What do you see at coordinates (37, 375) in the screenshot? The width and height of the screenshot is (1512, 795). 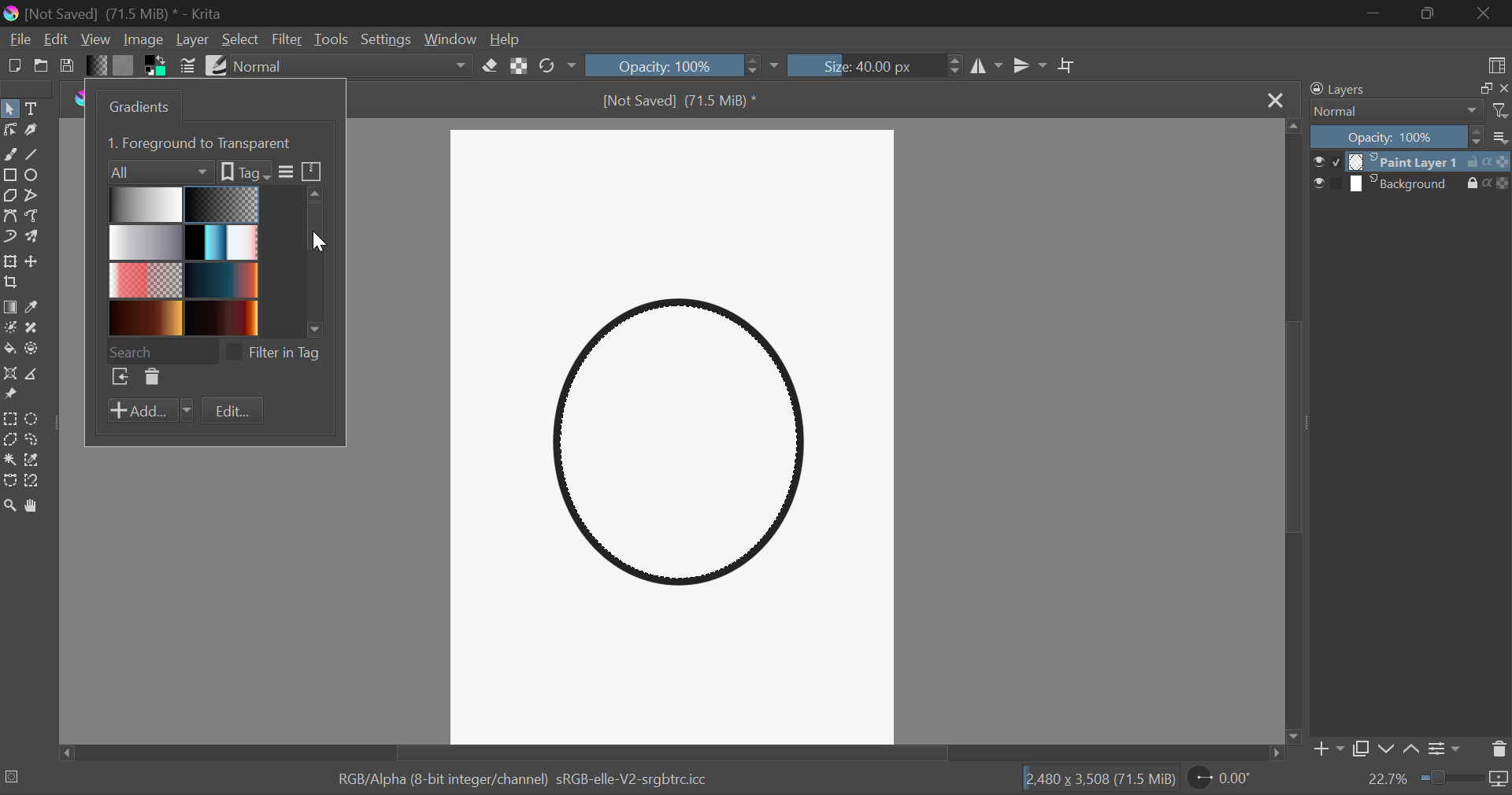 I see `Measurement` at bounding box center [37, 375].